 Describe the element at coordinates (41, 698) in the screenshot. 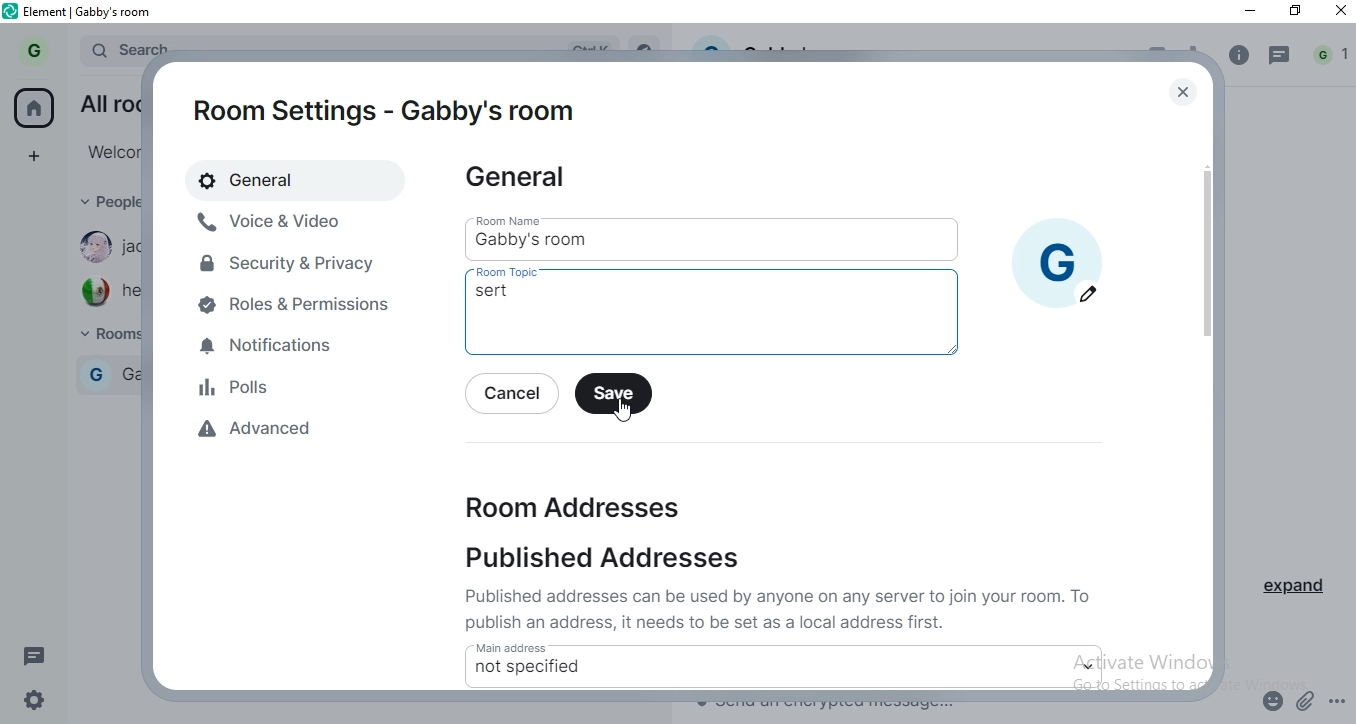

I see `settings` at that location.